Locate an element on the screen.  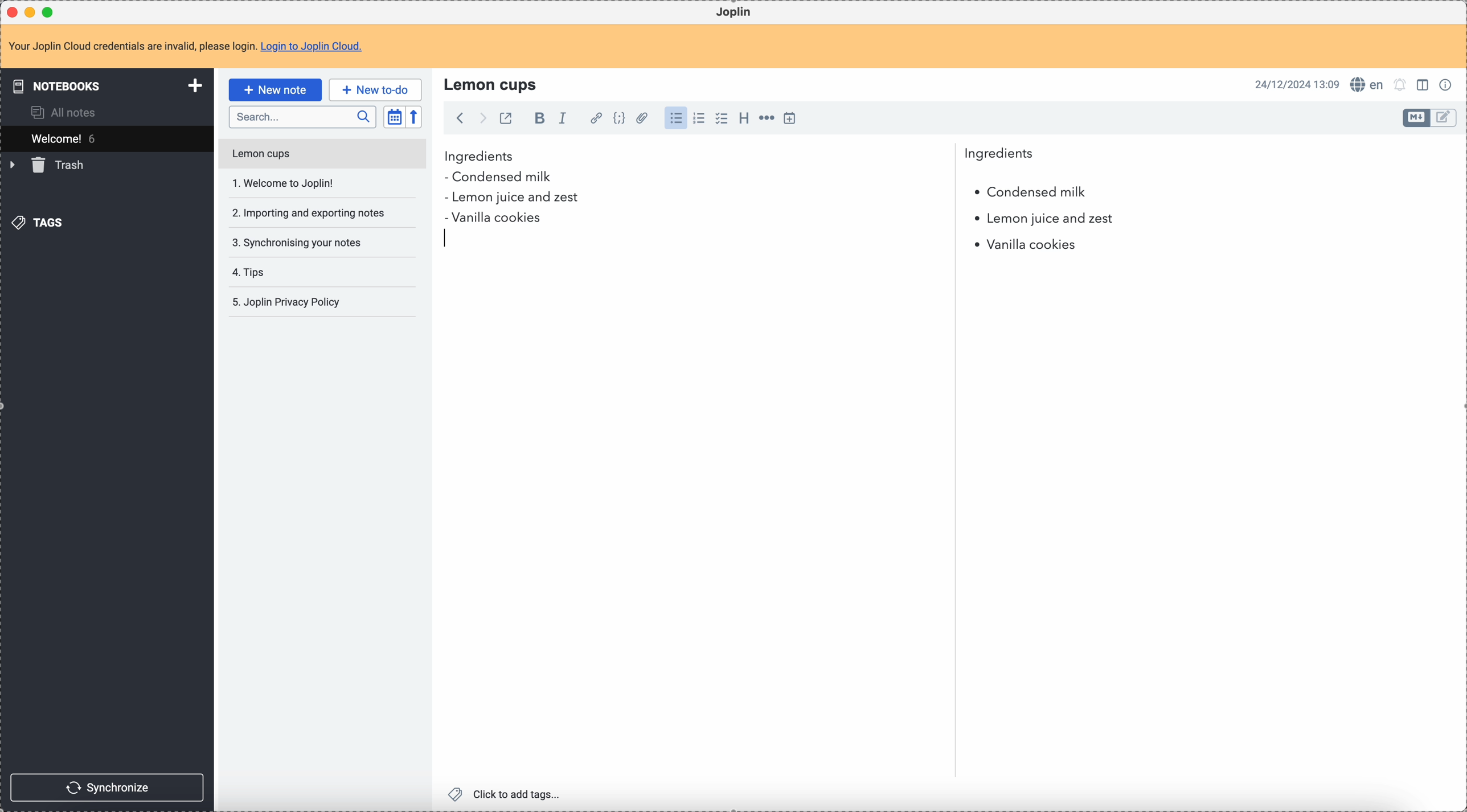
ingredients is located at coordinates (739, 157).